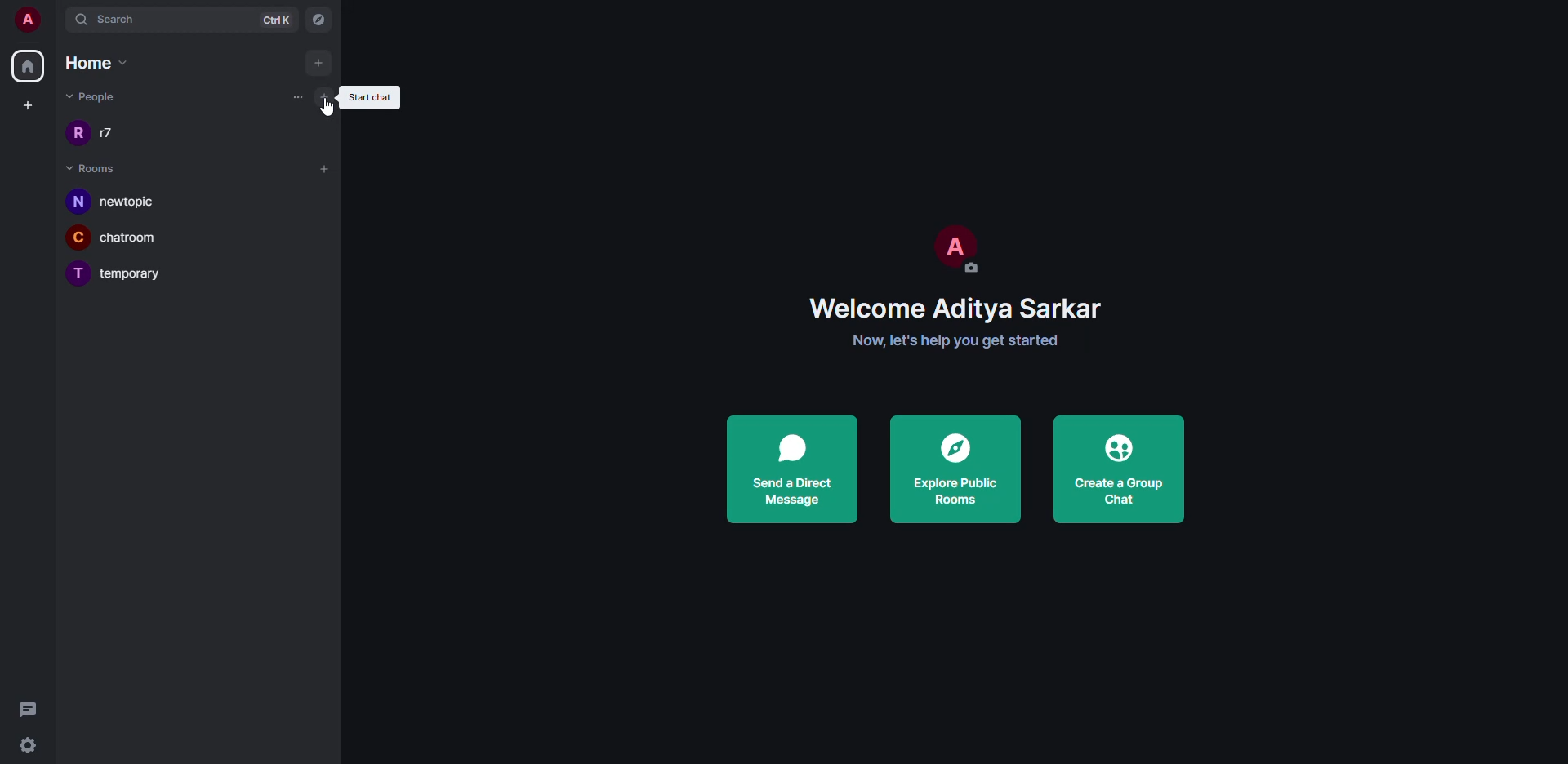  I want to click on temporary, so click(139, 273).